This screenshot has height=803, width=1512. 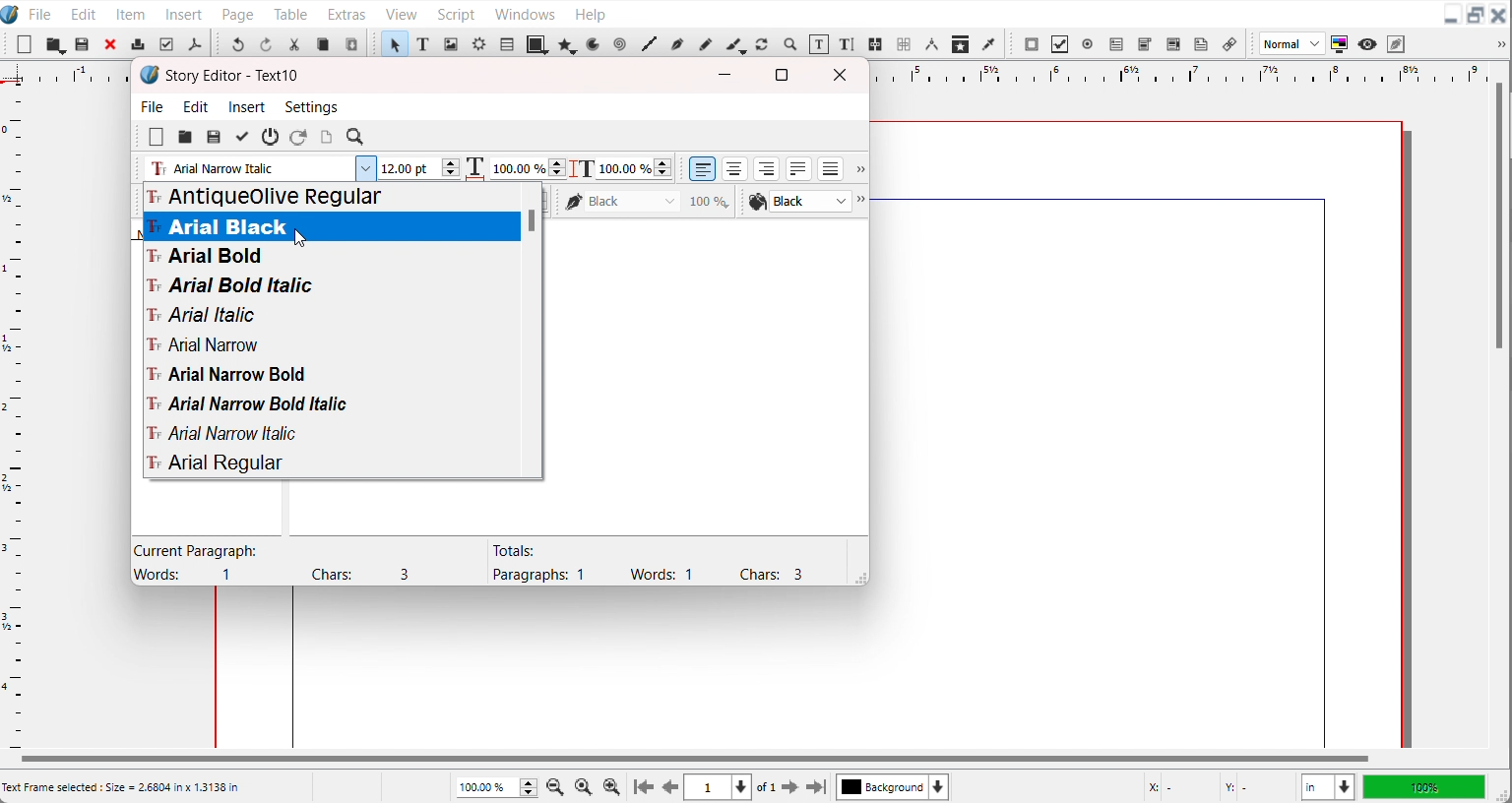 What do you see at coordinates (703, 168) in the screenshot?
I see `Align text left` at bounding box center [703, 168].